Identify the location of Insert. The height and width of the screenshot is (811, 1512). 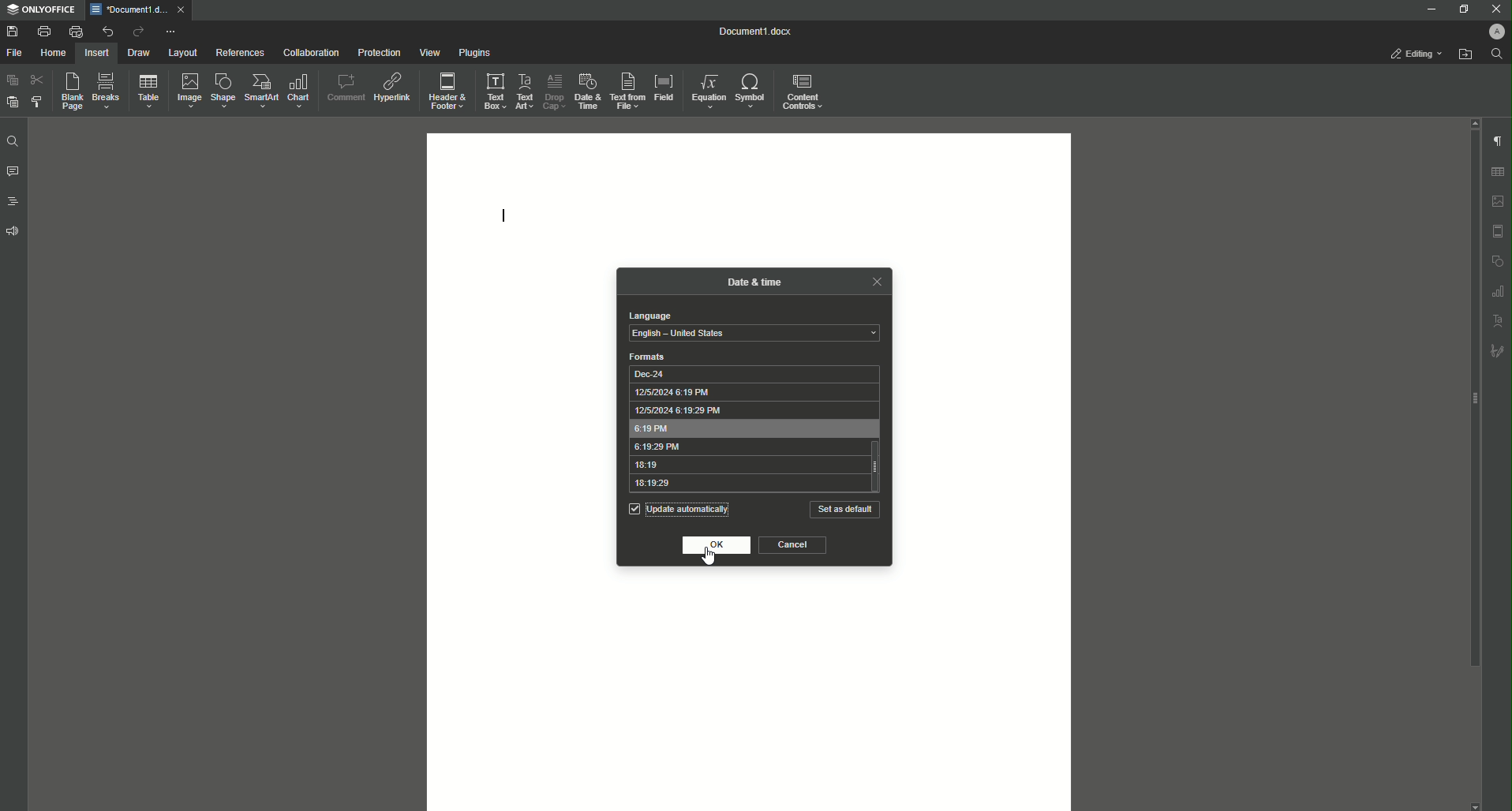
(97, 52).